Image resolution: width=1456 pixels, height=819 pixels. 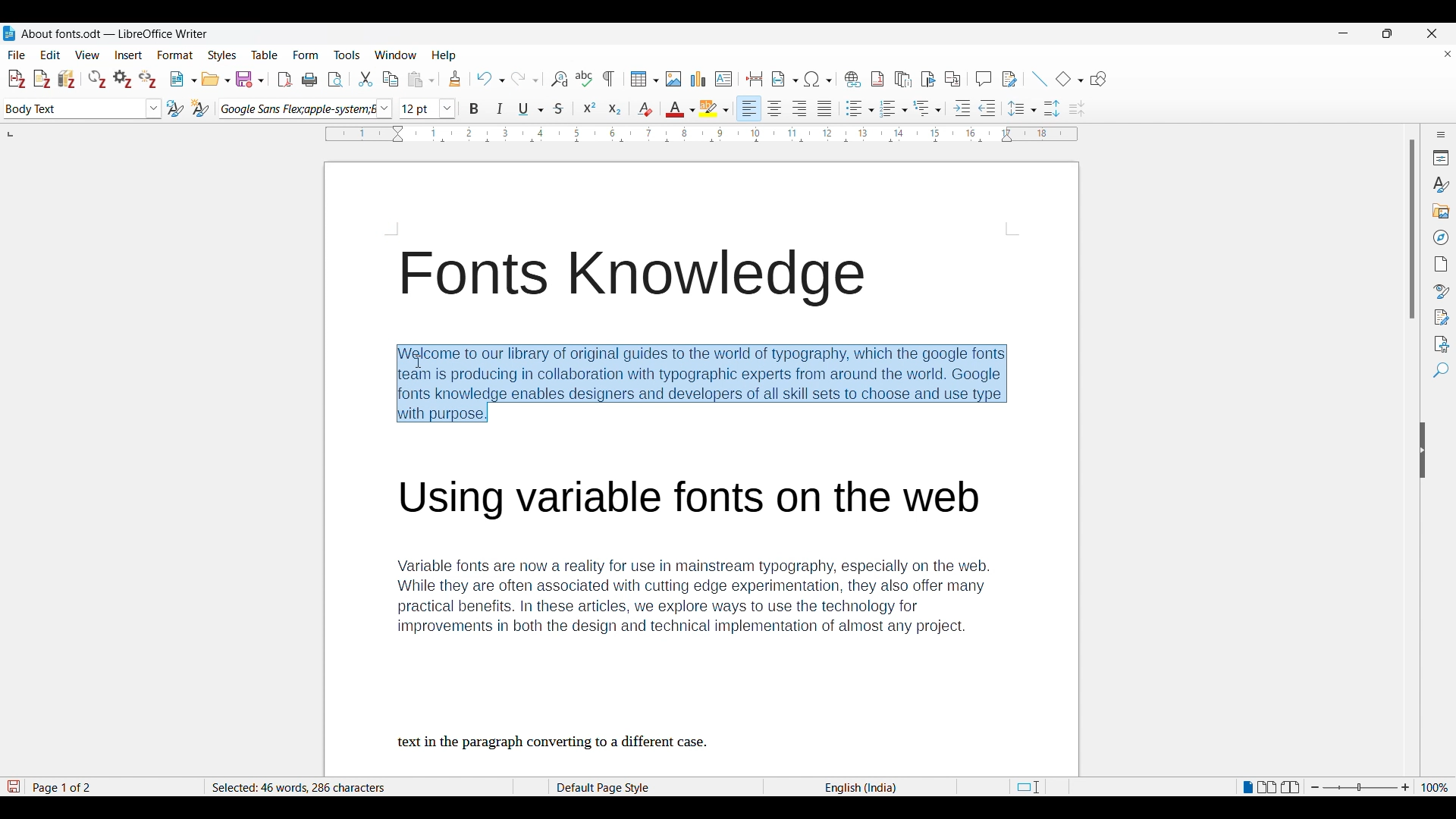 What do you see at coordinates (859, 108) in the screenshot?
I see `Unordered list` at bounding box center [859, 108].